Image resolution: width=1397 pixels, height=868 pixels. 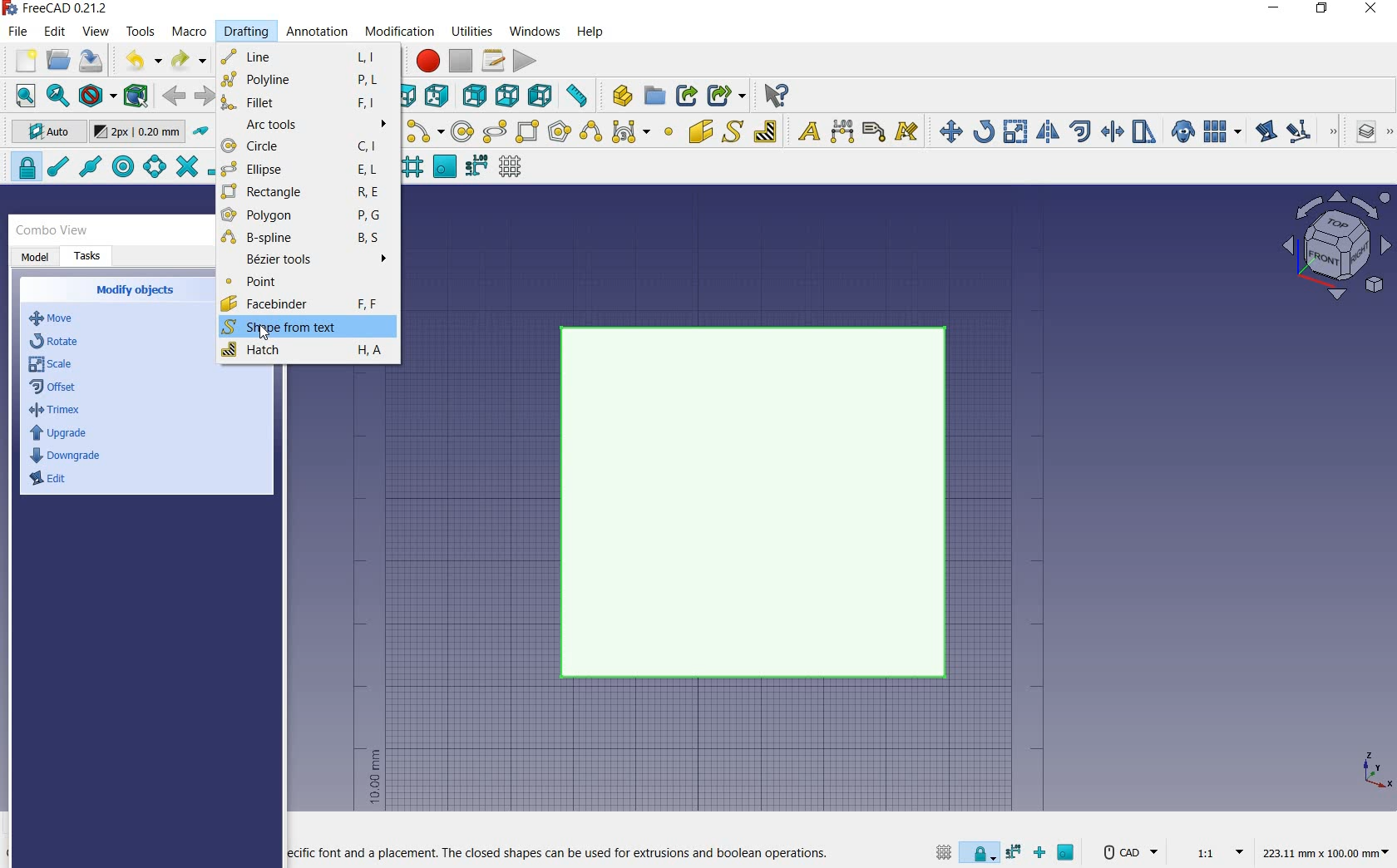 I want to click on hatch, so click(x=304, y=352).